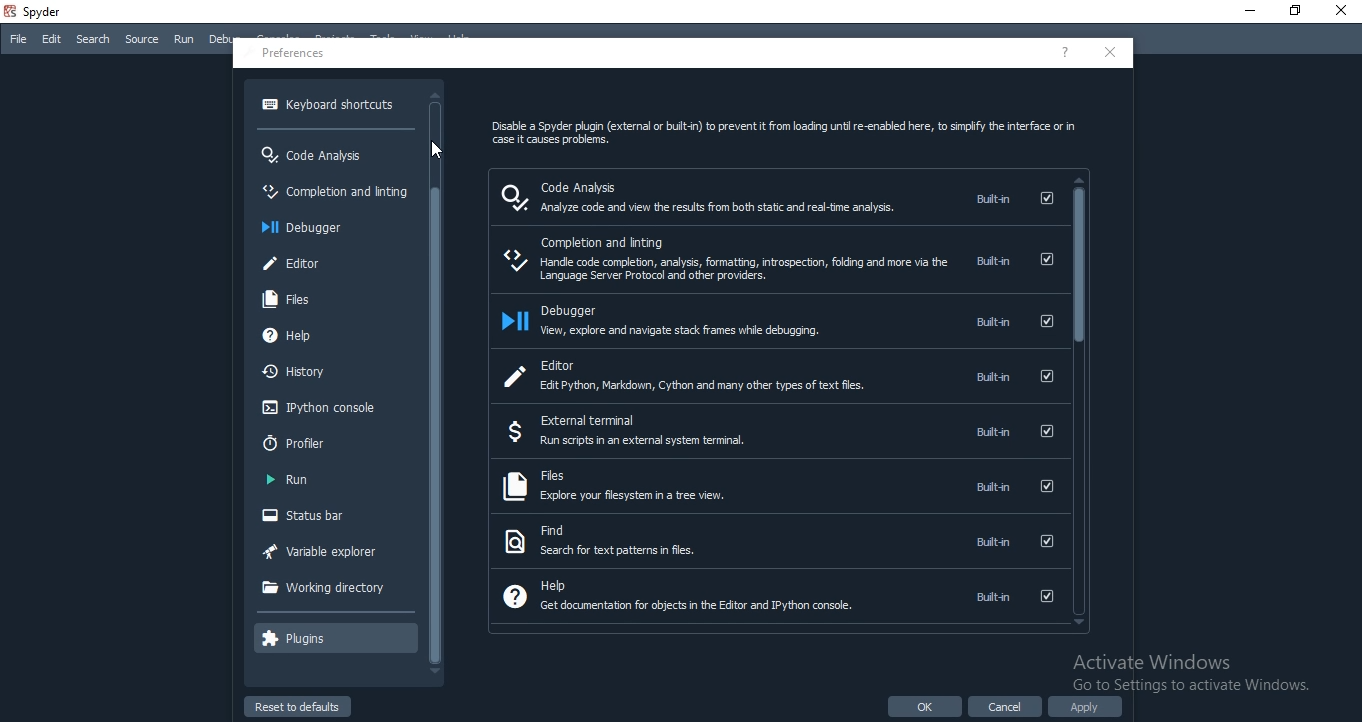 This screenshot has height=722, width=1362. Describe the element at coordinates (1247, 8) in the screenshot. I see `Minimise` at that location.